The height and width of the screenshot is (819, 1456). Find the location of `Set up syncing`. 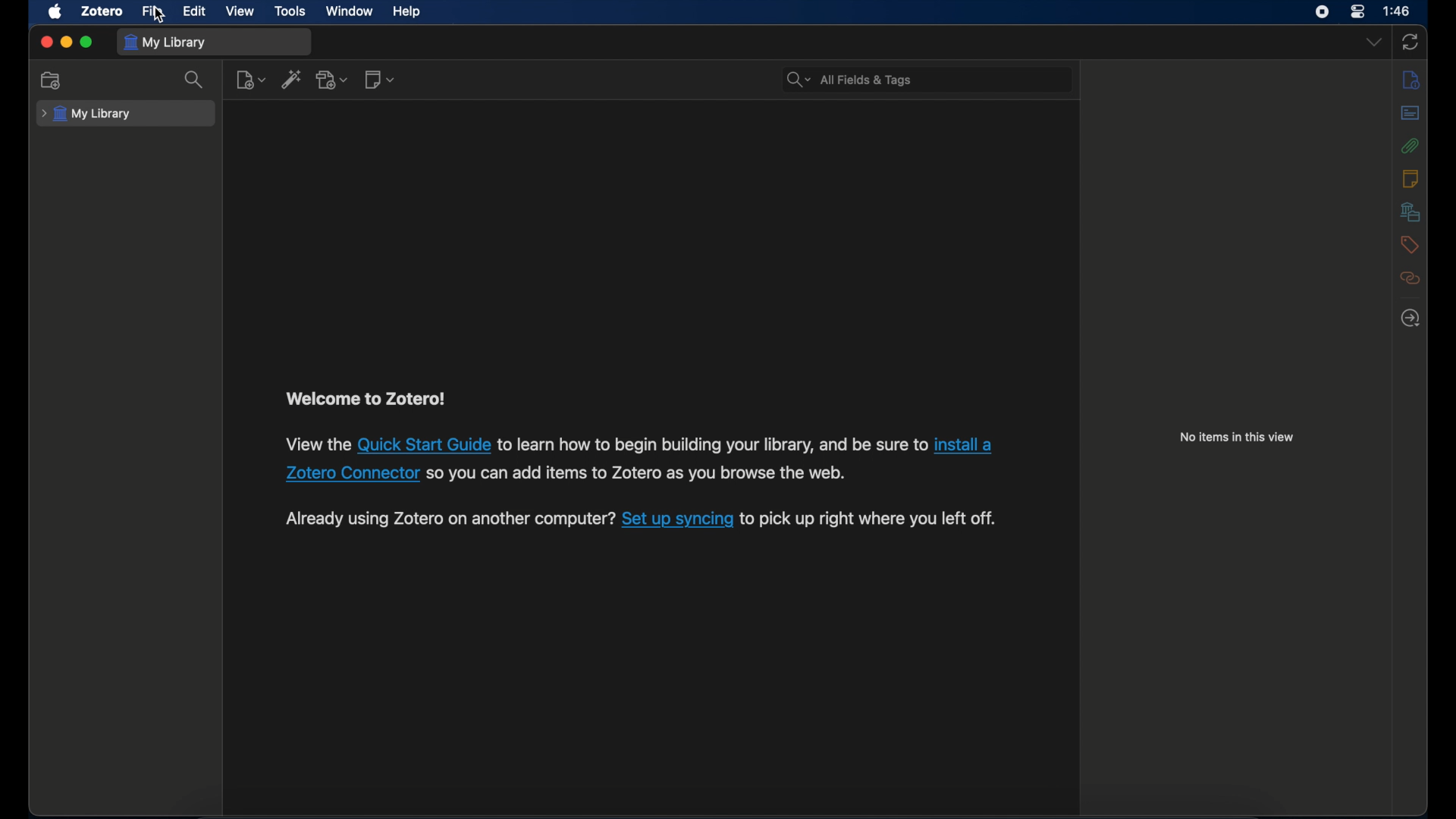

Set up syncing is located at coordinates (676, 520).